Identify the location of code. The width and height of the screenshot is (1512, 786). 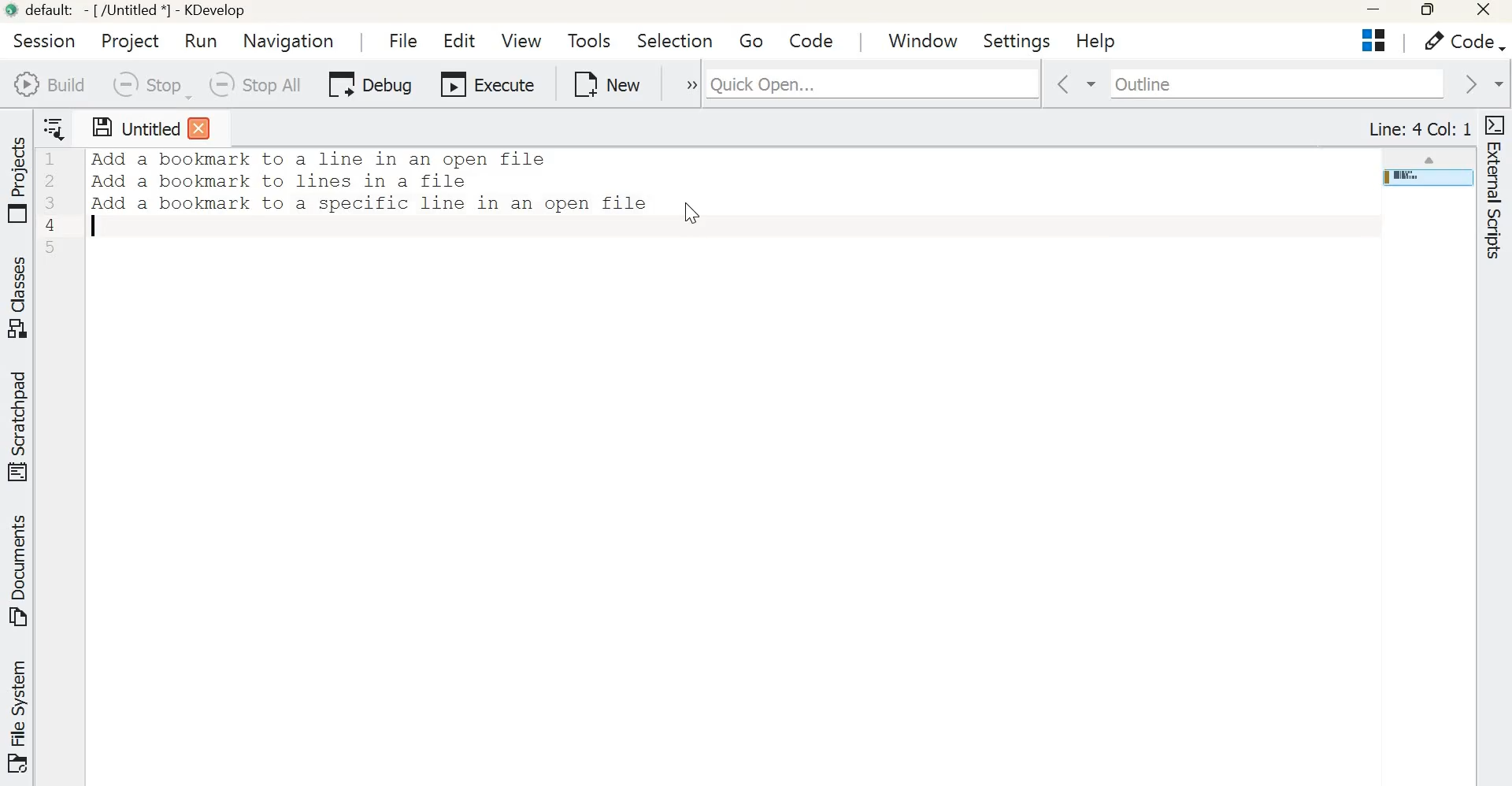
(812, 39).